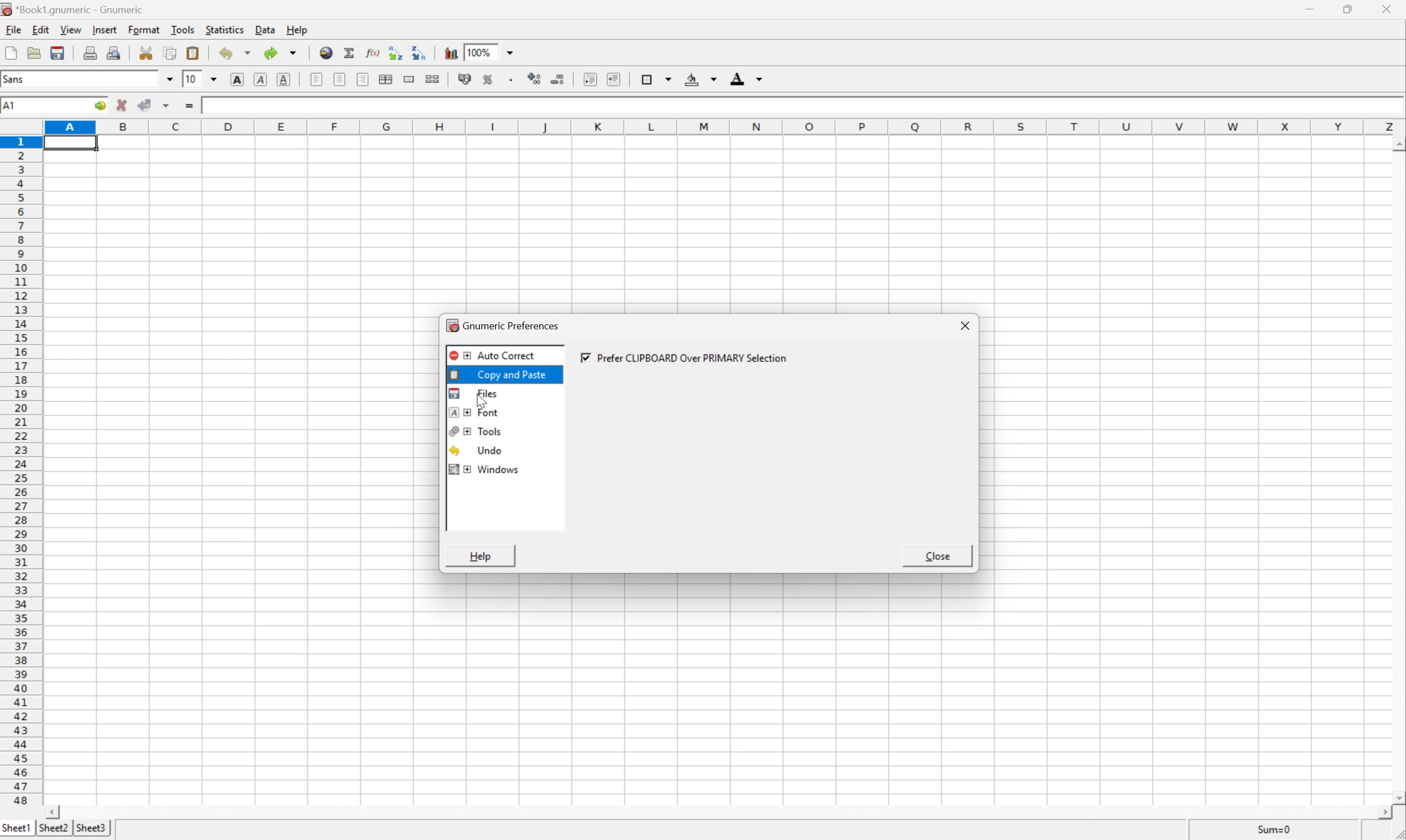 Image resolution: width=1406 pixels, height=840 pixels. I want to click on restore down, so click(1353, 10).